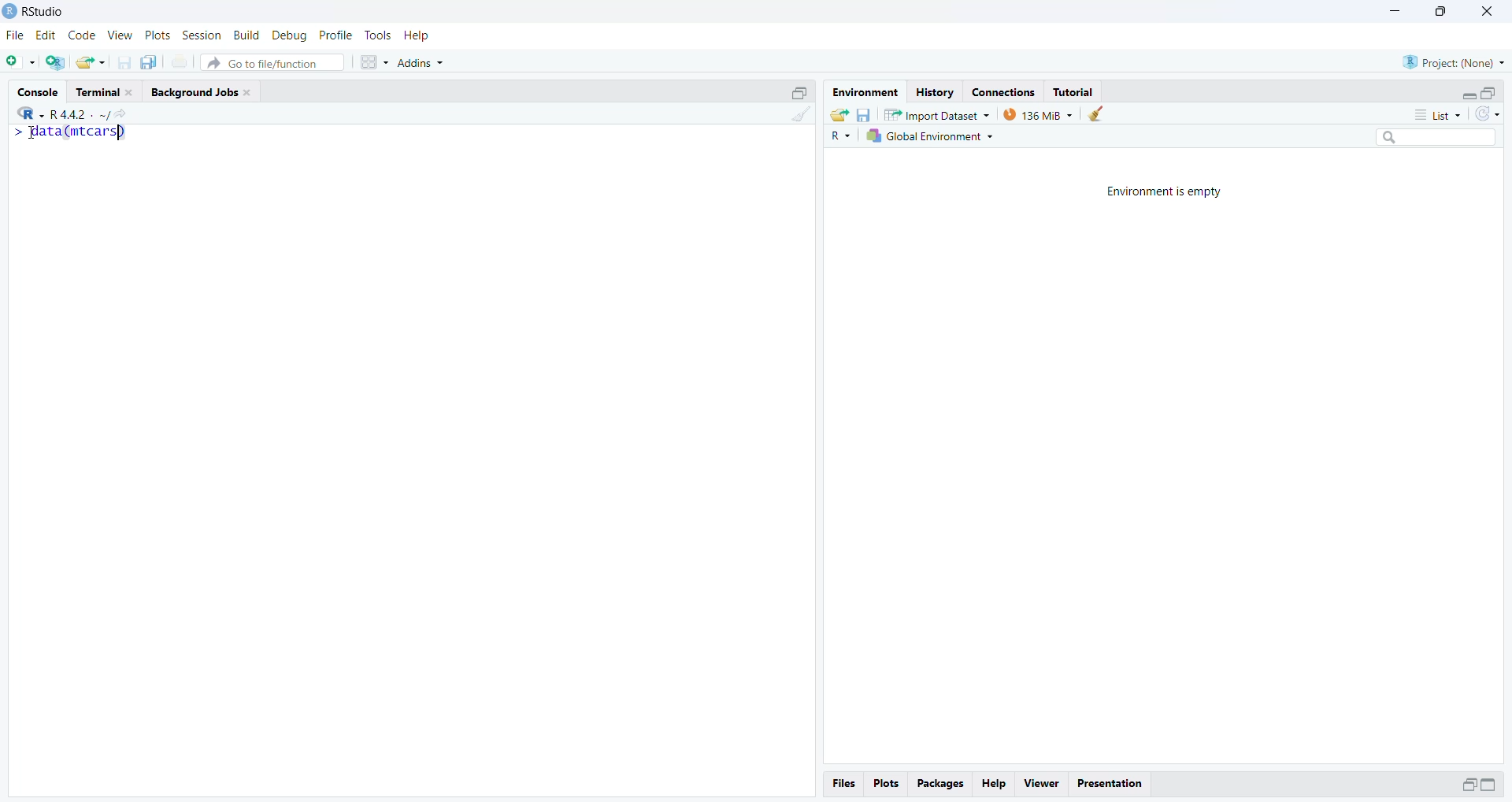  What do you see at coordinates (1488, 13) in the screenshot?
I see `Close` at bounding box center [1488, 13].